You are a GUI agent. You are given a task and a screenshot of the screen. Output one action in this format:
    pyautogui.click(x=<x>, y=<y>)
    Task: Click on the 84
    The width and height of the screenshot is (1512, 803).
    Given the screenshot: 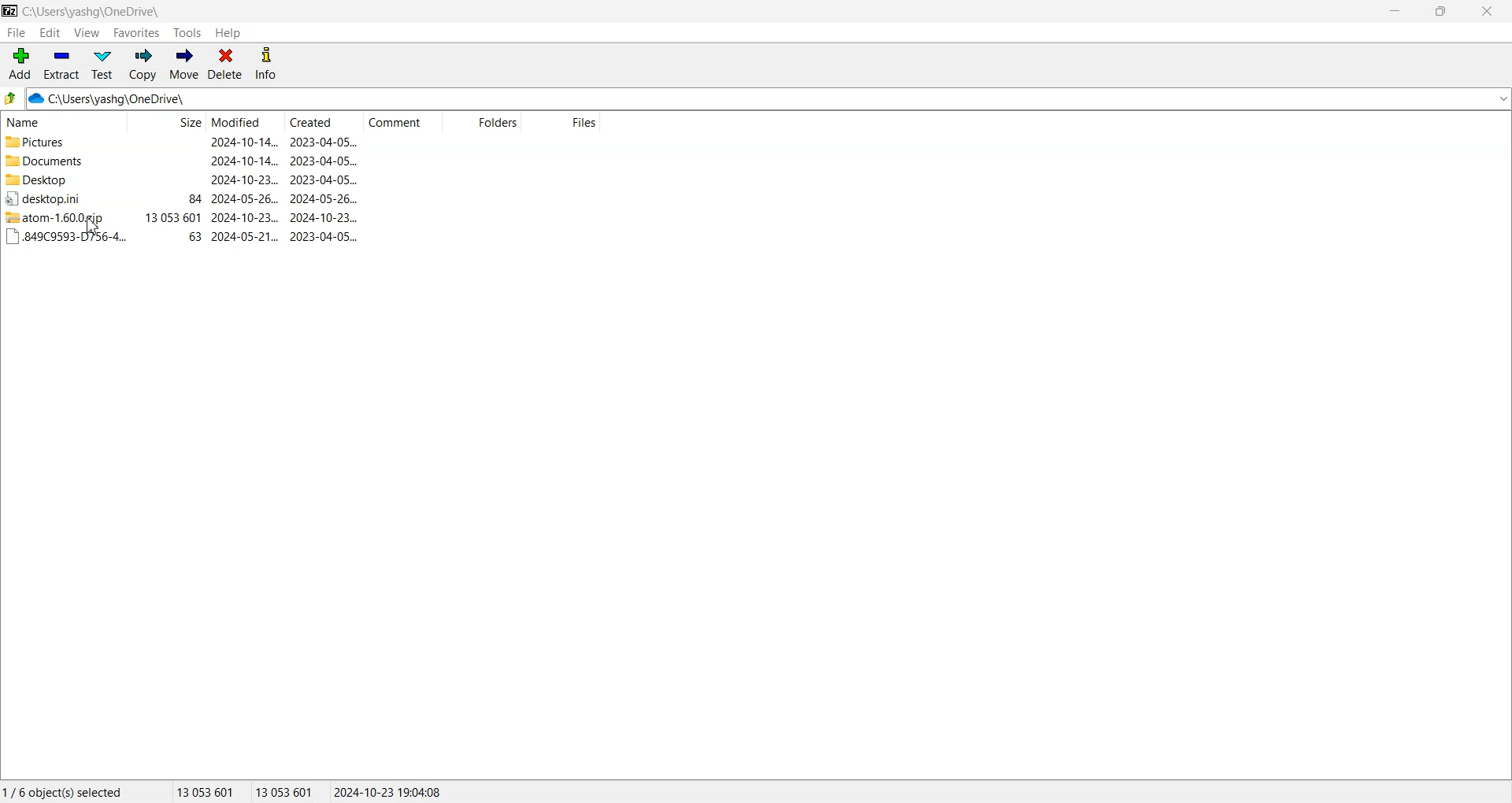 What is the action you would take?
    pyautogui.click(x=195, y=199)
    